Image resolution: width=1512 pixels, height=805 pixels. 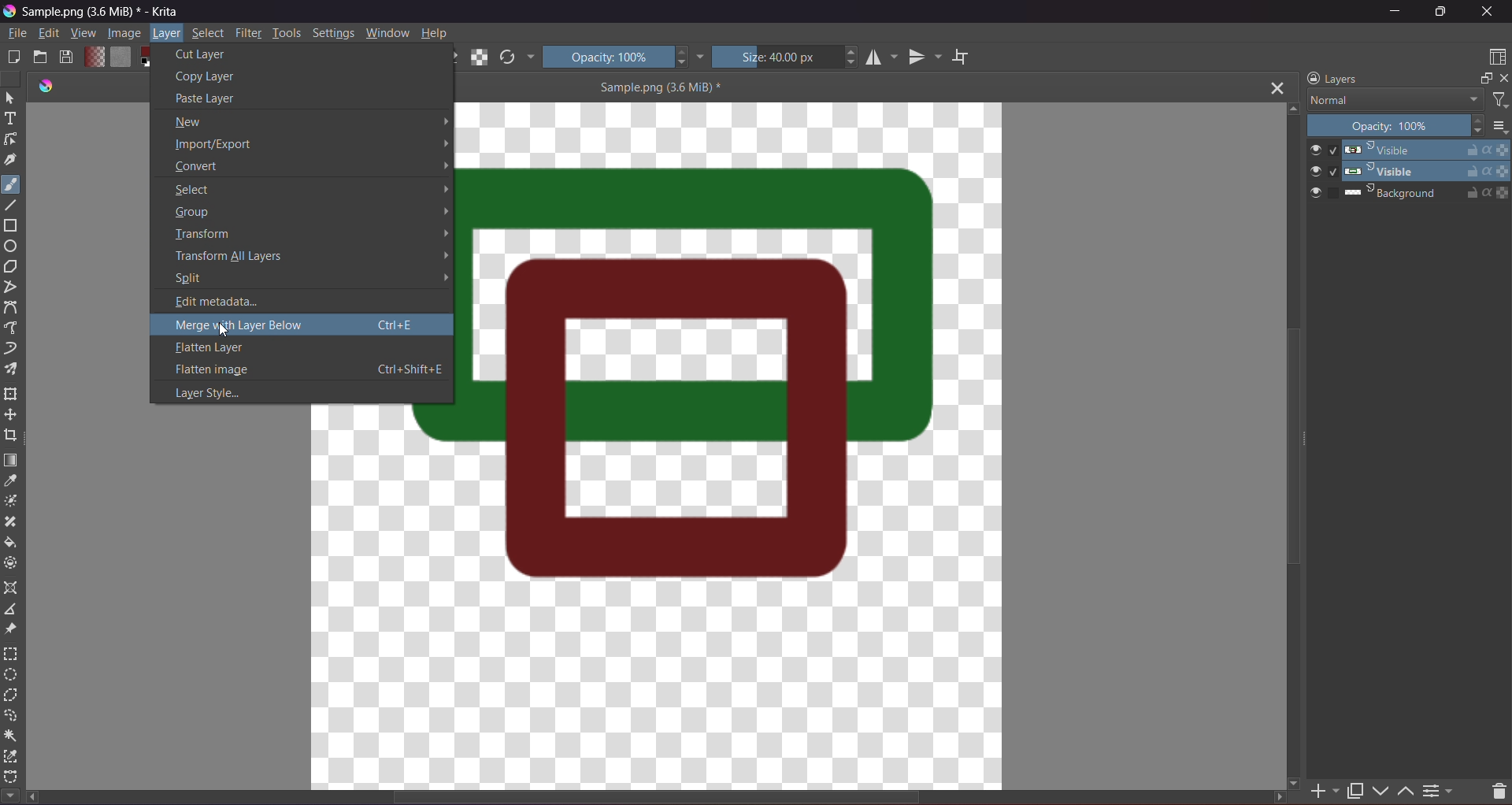 What do you see at coordinates (309, 255) in the screenshot?
I see `Transform All Layers` at bounding box center [309, 255].